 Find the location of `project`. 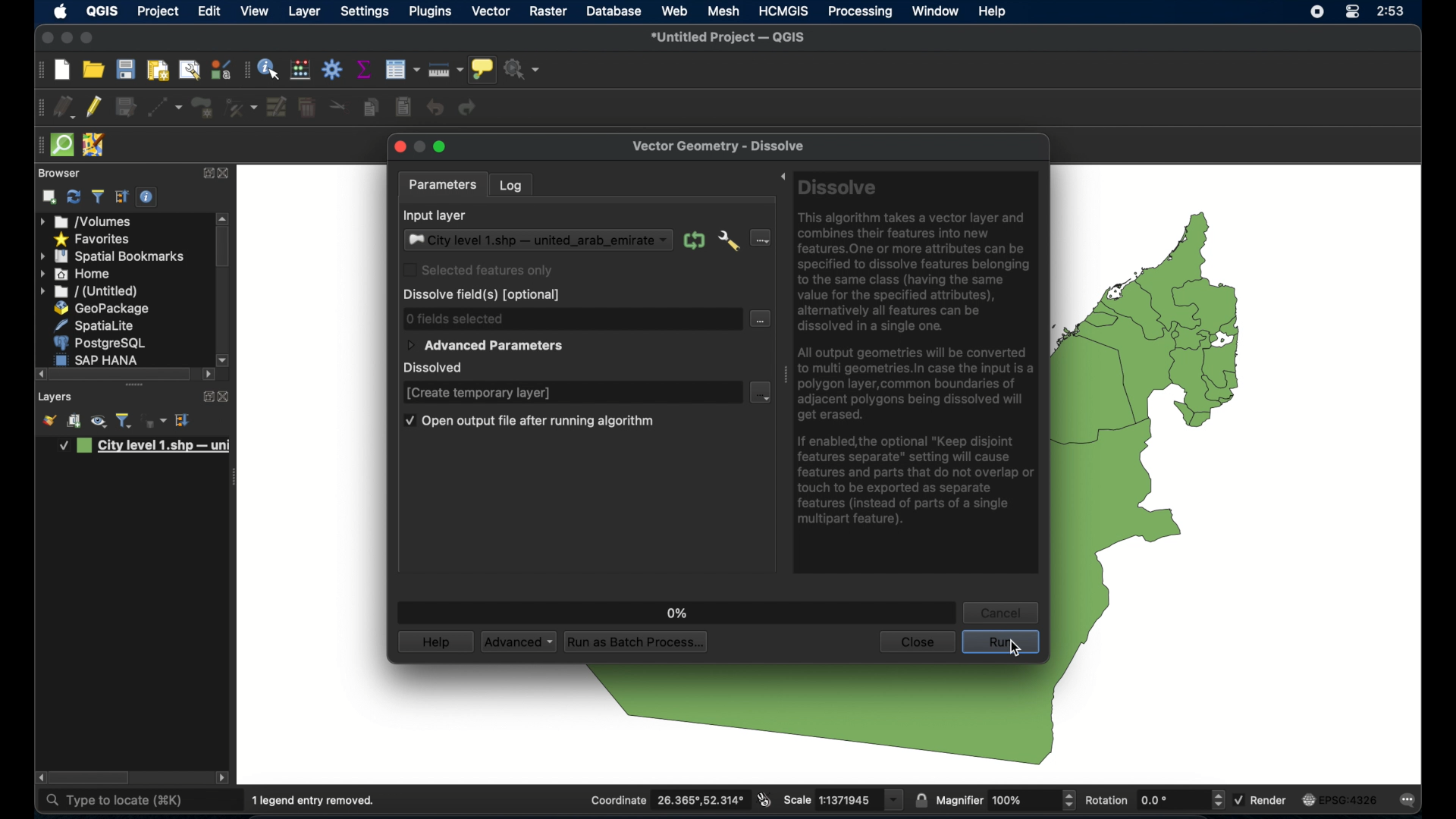

project is located at coordinates (158, 12).